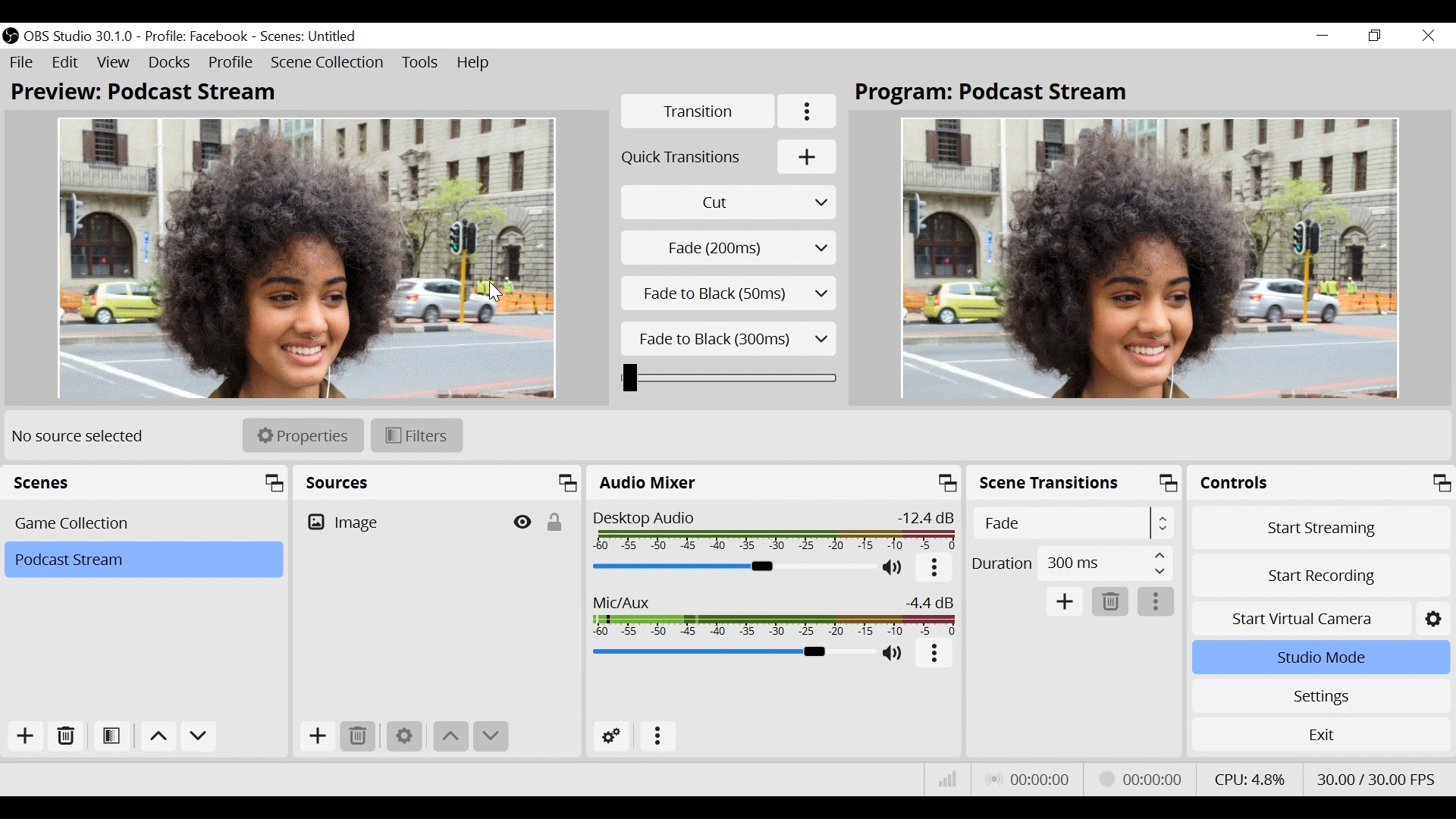  Describe the element at coordinates (1025, 779) in the screenshot. I see `Live Status` at that location.